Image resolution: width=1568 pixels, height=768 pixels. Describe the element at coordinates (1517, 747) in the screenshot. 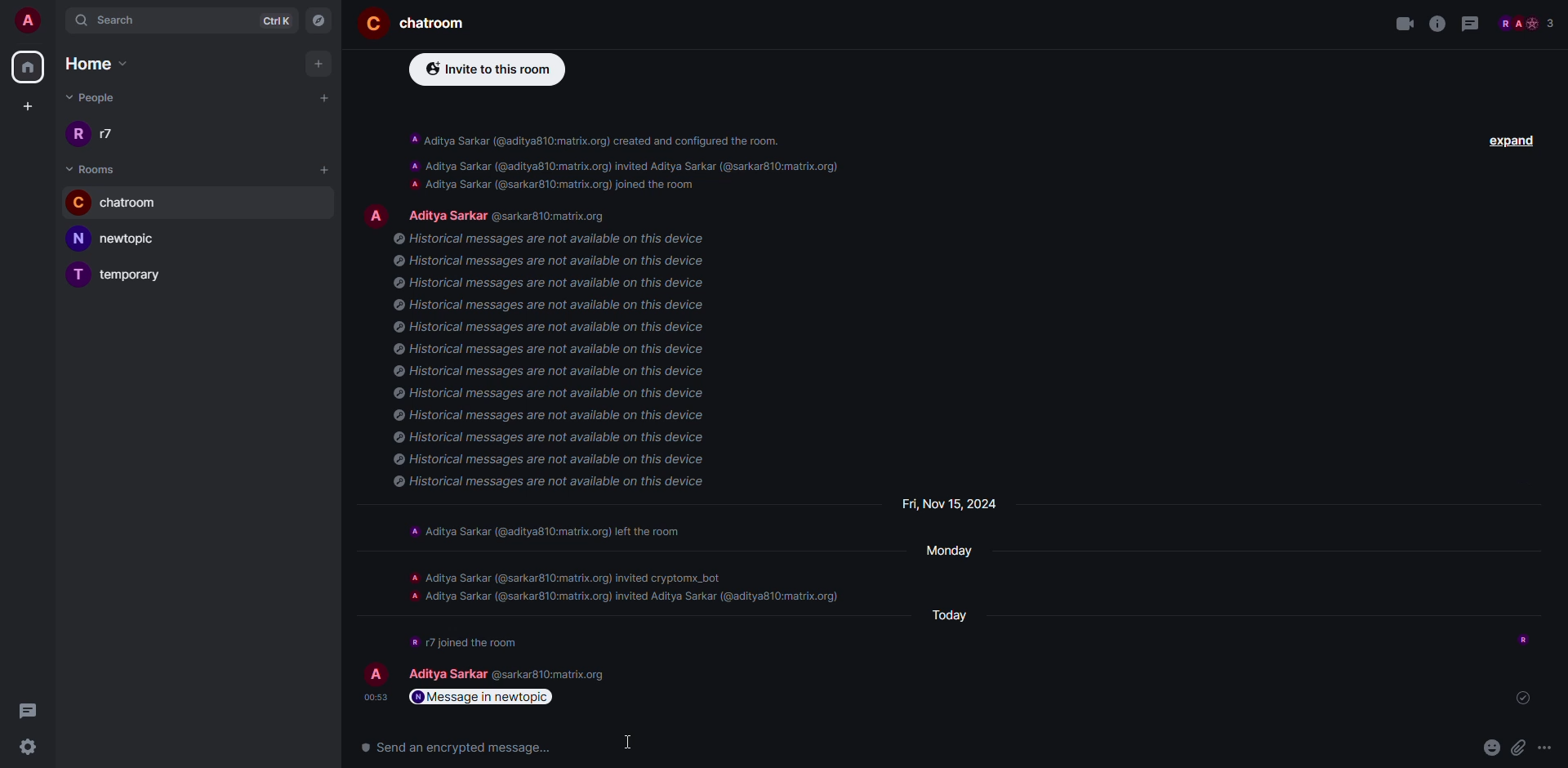

I see `attach` at that location.